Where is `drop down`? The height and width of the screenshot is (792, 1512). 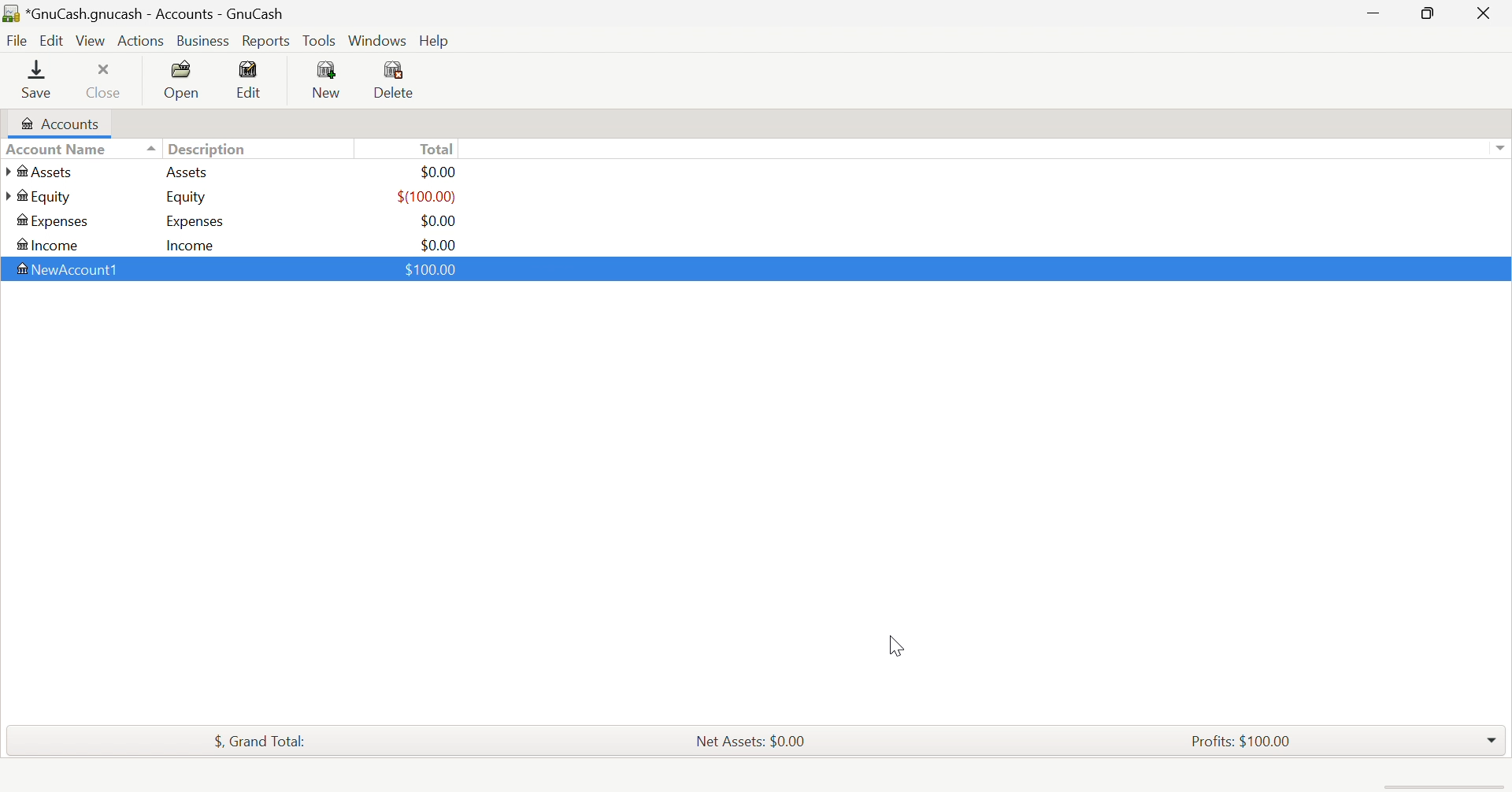 drop down is located at coordinates (1503, 149).